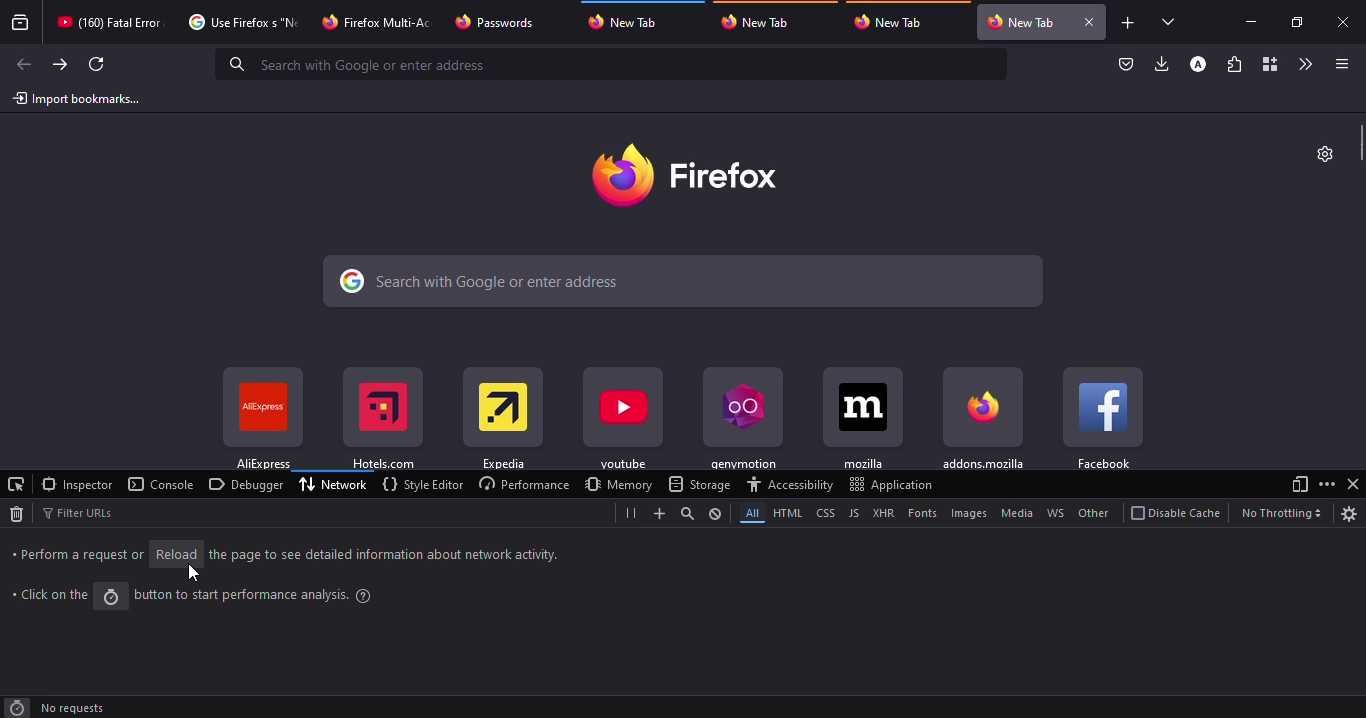 This screenshot has height=718, width=1366. What do you see at coordinates (16, 484) in the screenshot?
I see `select` at bounding box center [16, 484].